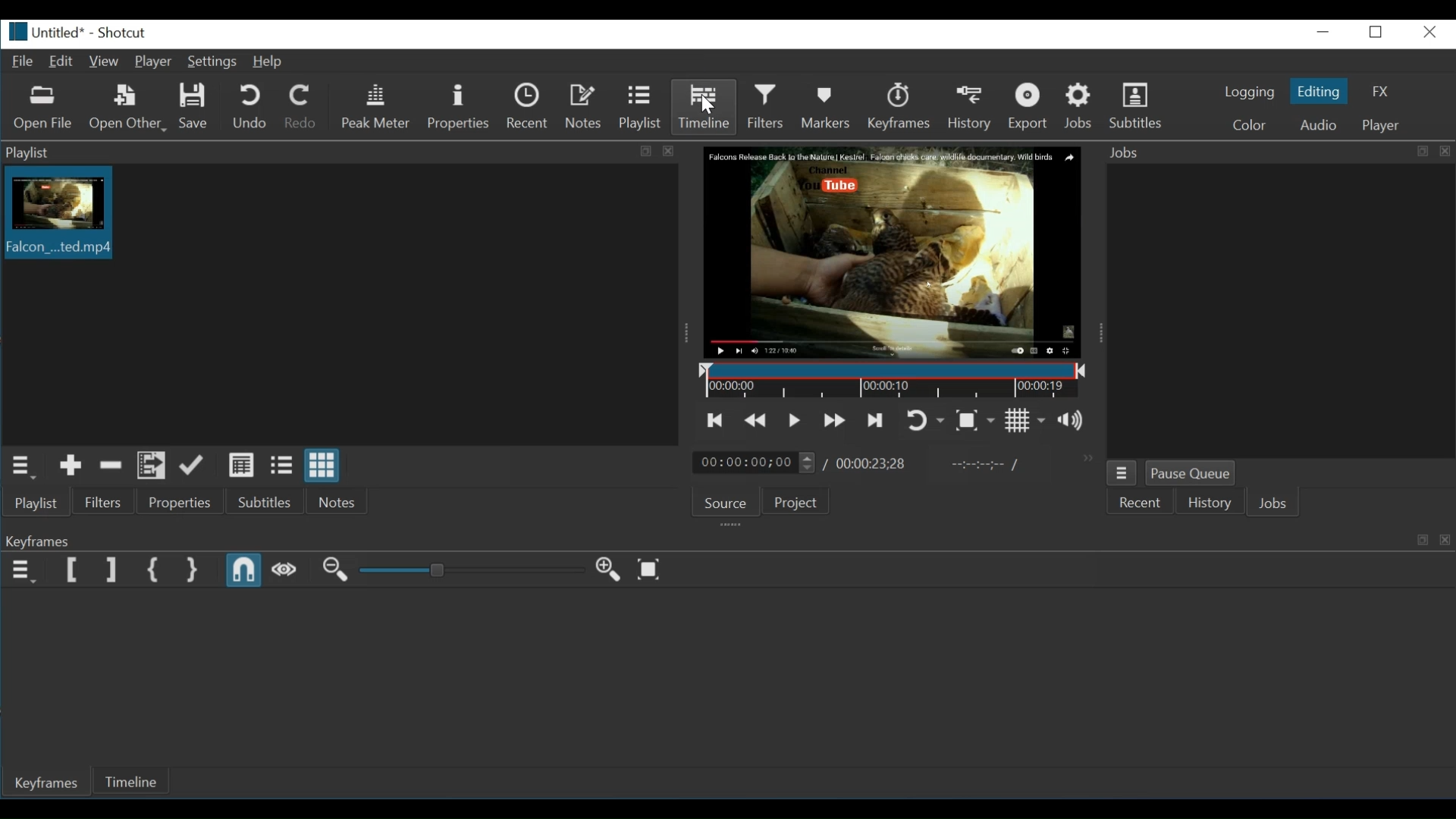  Describe the element at coordinates (871, 465) in the screenshot. I see `Total Duration` at that location.